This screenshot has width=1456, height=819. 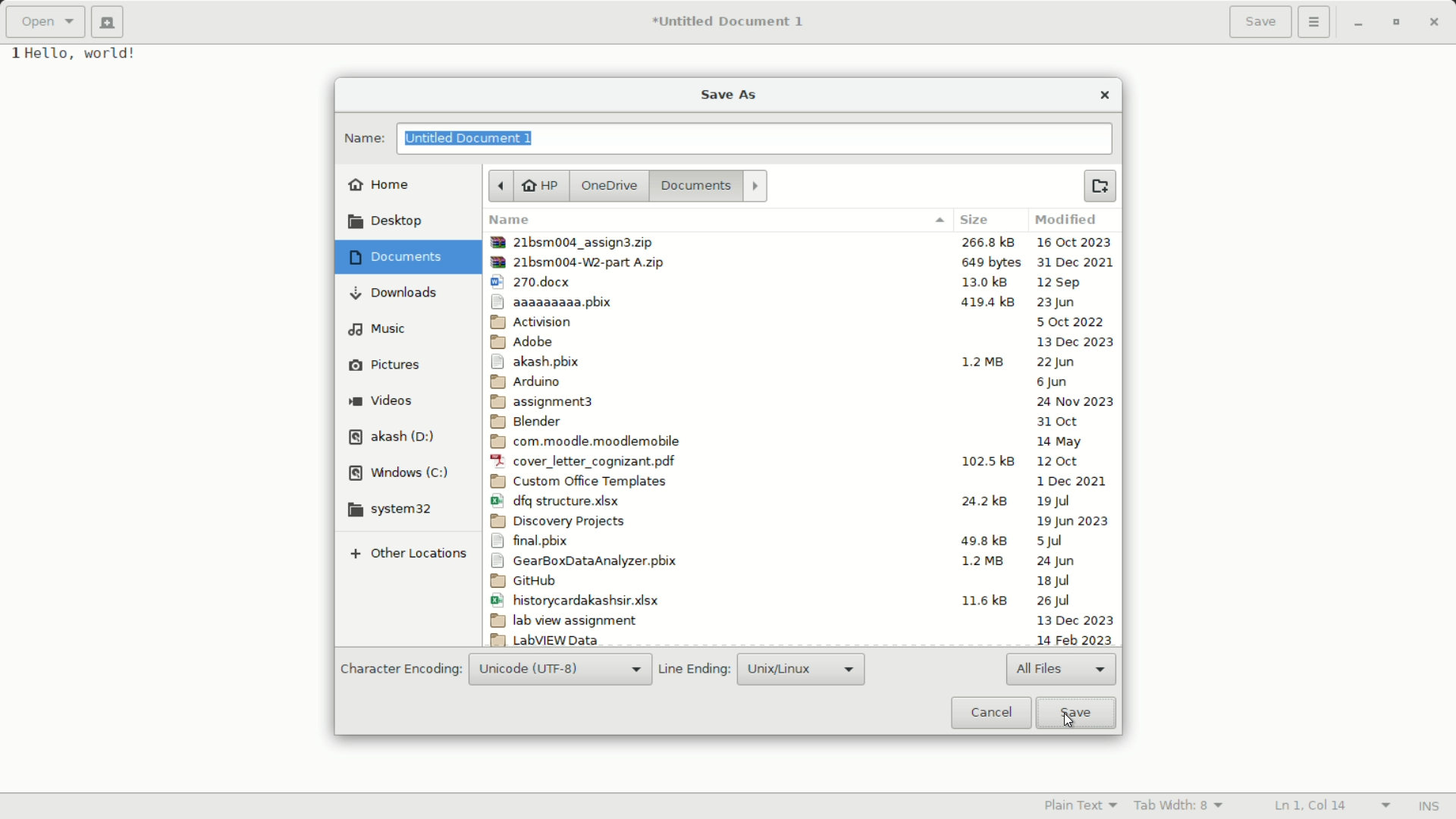 I want to click on windows (C:), so click(x=399, y=474).